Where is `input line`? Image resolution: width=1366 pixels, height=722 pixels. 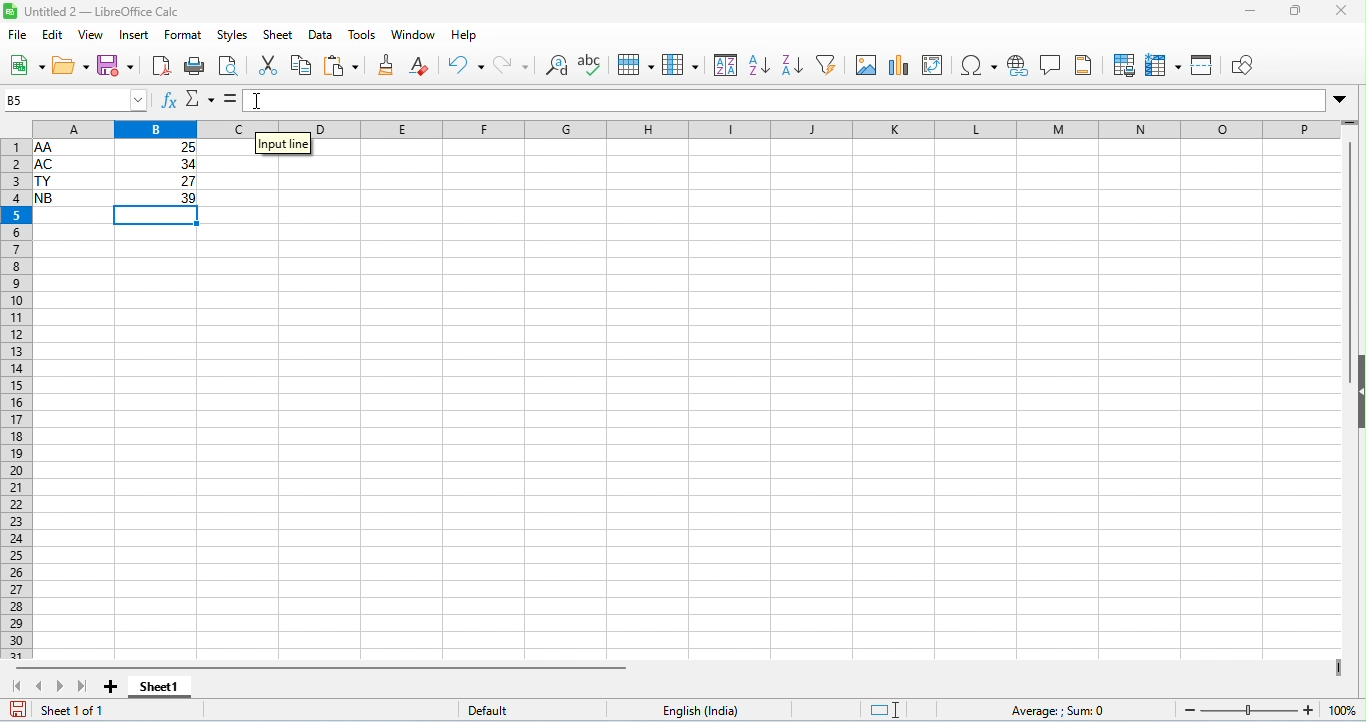 input line is located at coordinates (283, 154).